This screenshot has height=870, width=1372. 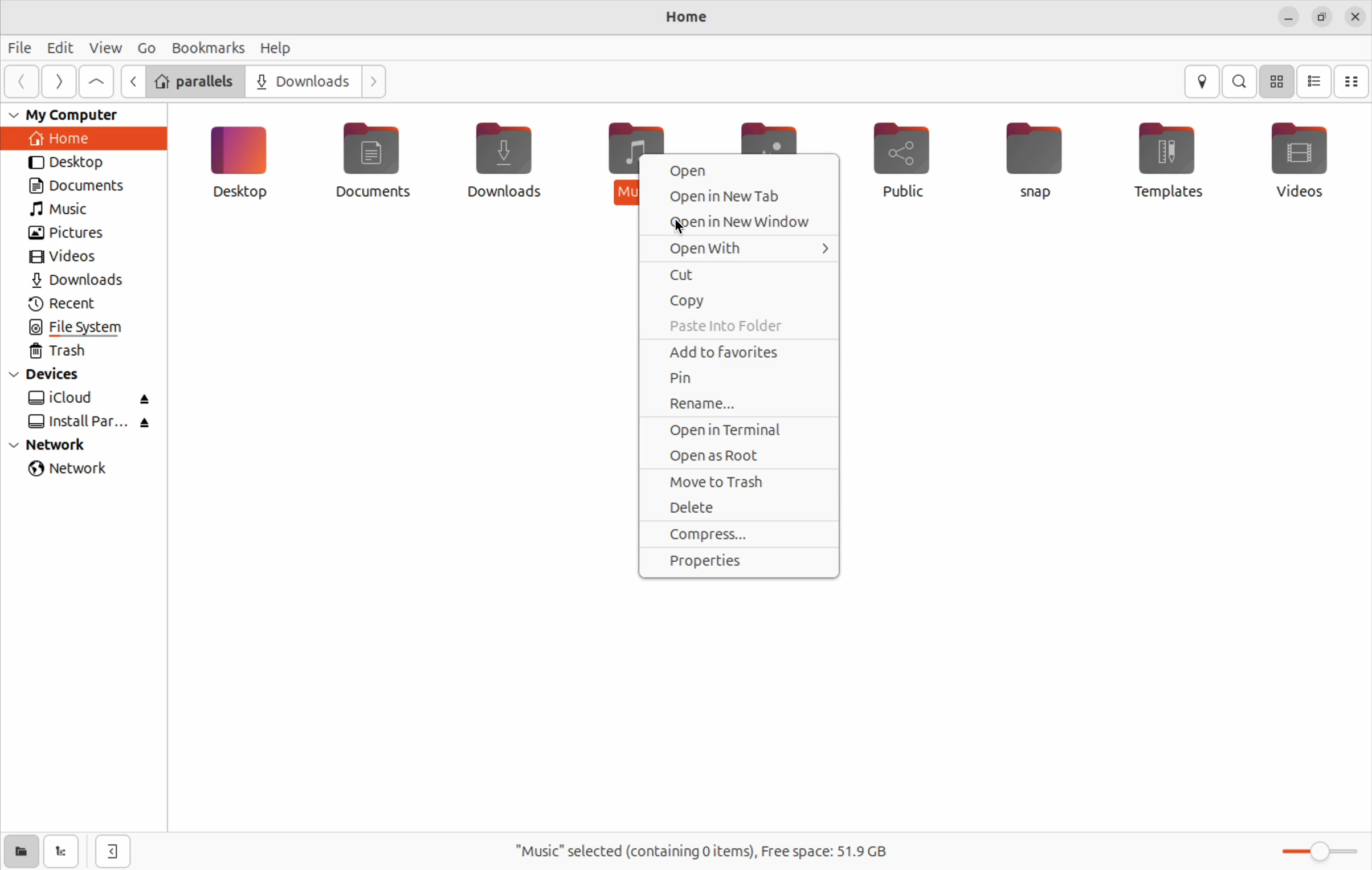 What do you see at coordinates (741, 221) in the screenshot?
I see `open in  new window` at bounding box center [741, 221].